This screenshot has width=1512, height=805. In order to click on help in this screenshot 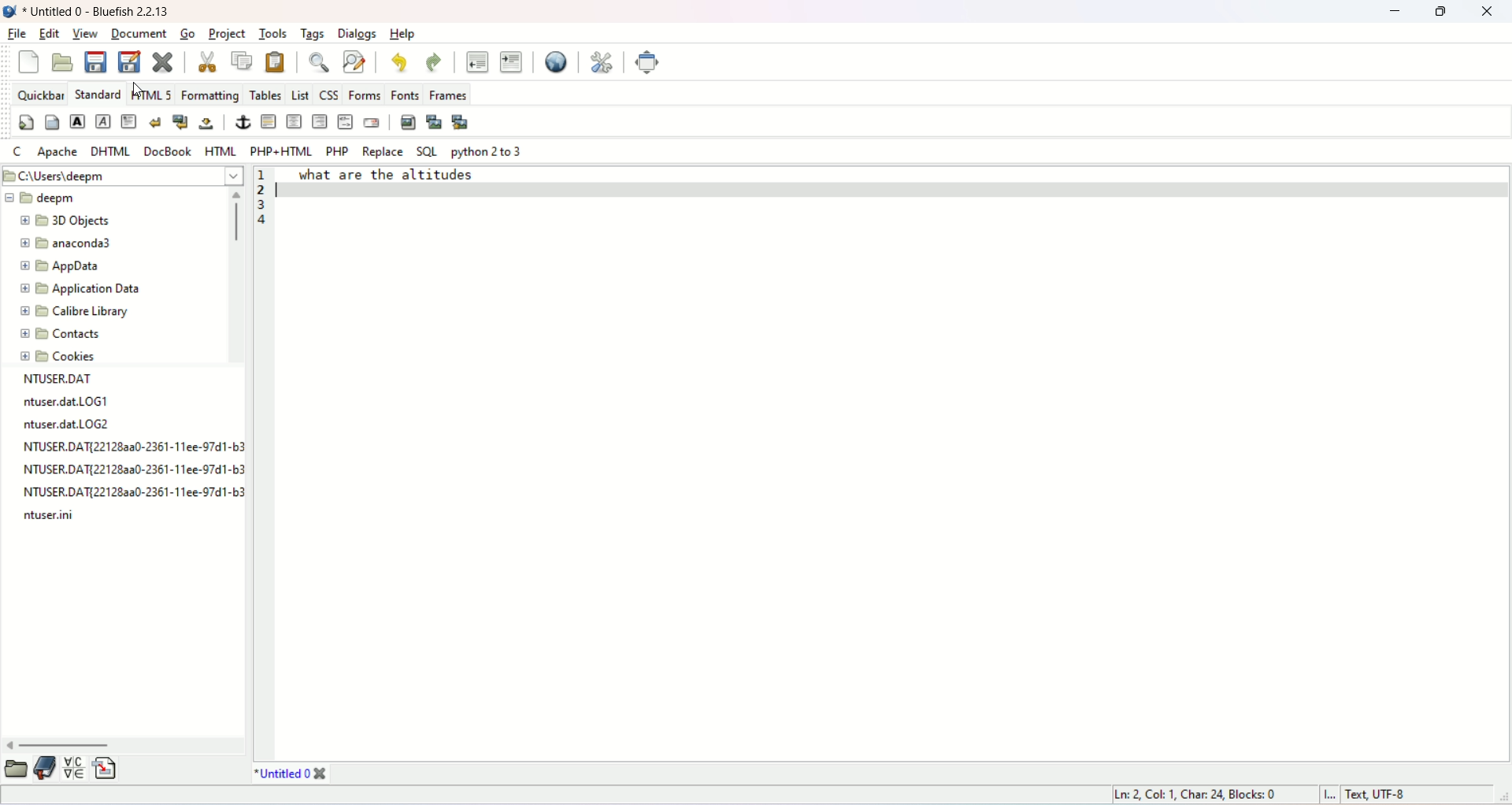, I will do `click(403, 34)`.